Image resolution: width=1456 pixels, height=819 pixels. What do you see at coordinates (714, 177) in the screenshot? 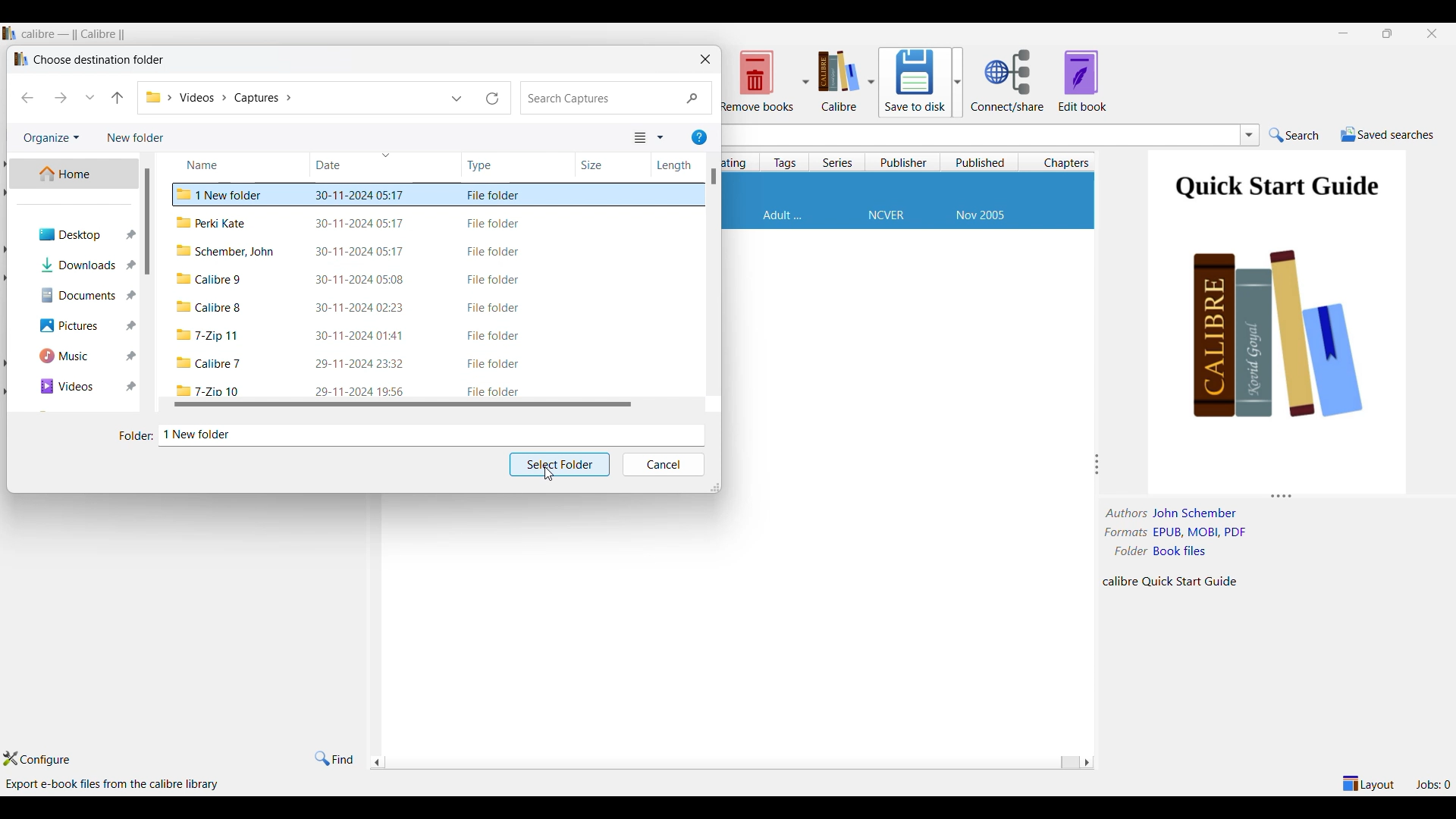
I see `Vertical slide bar` at bounding box center [714, 177].